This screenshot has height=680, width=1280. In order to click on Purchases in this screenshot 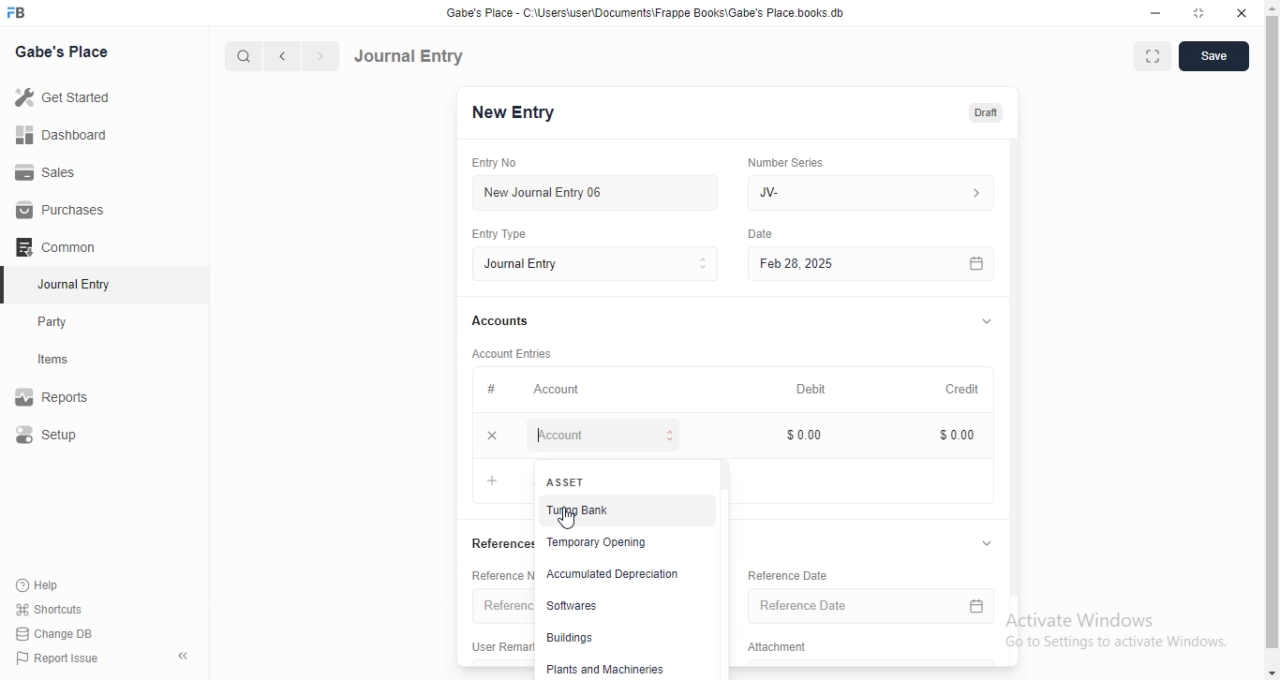, I will do `click(63, 210)`.